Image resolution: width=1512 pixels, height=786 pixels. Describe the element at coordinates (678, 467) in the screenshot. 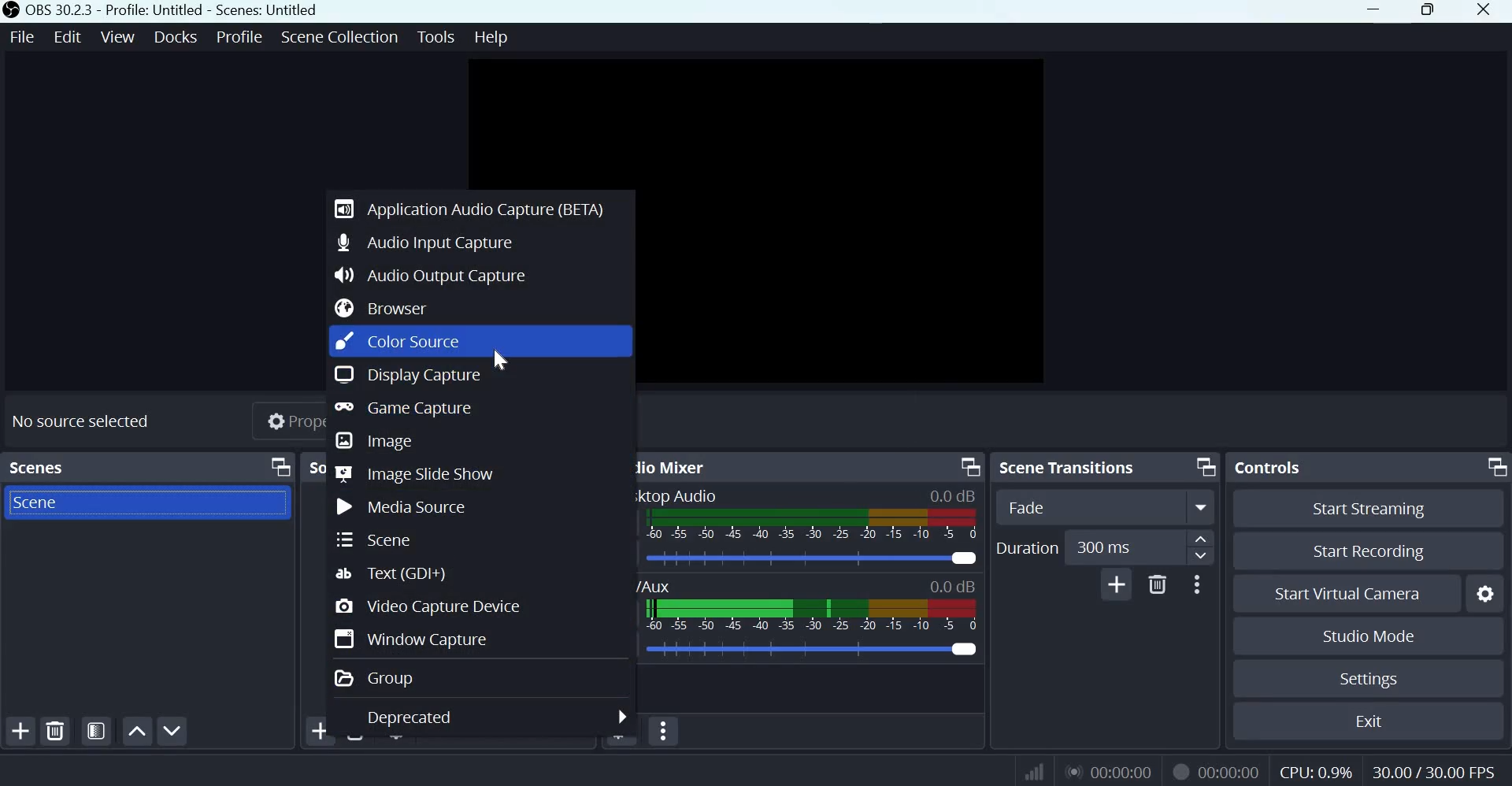

I see `Audio Mixer` at that location.